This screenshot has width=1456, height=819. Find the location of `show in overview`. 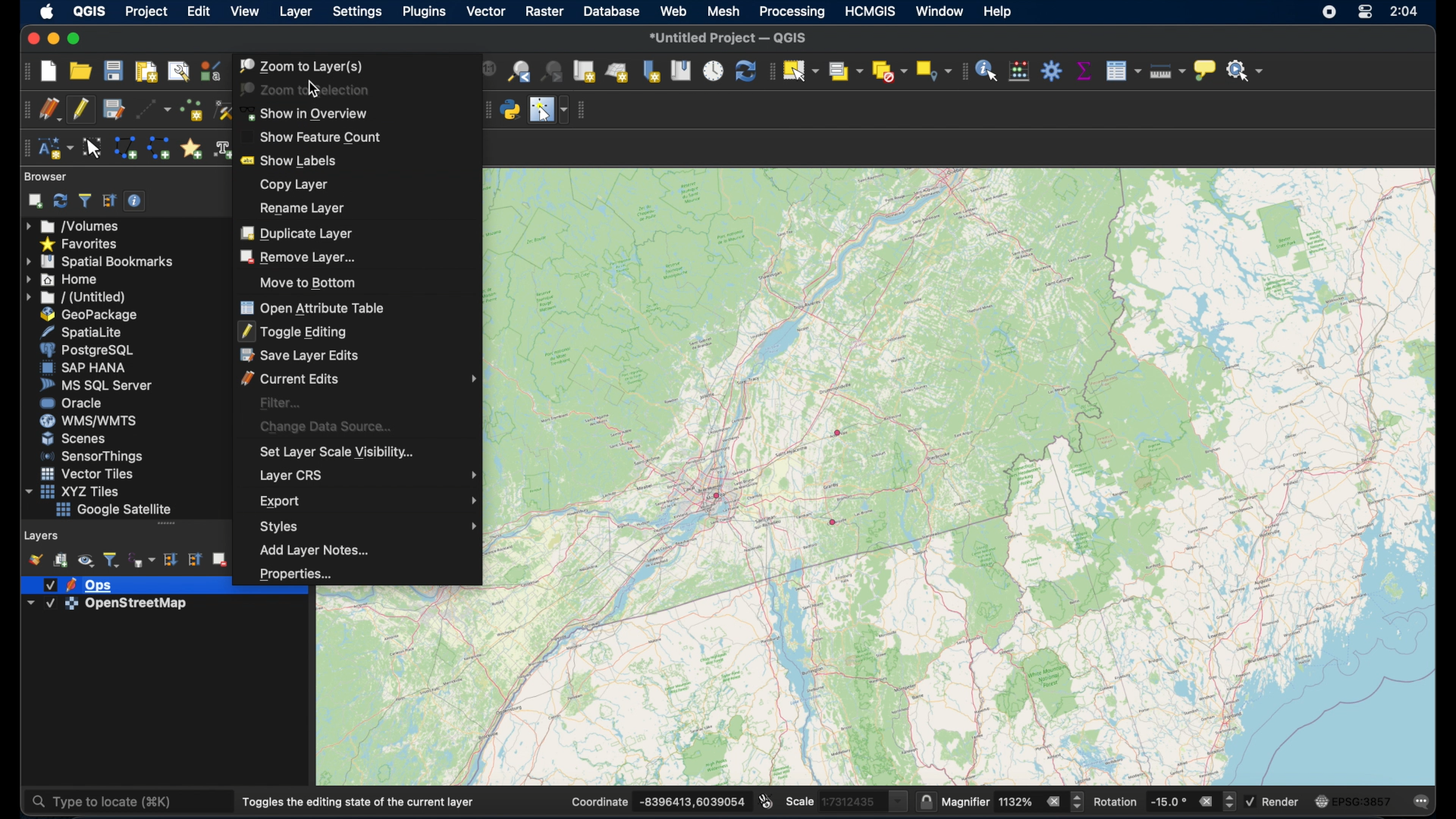

show in overview is located at coordinates (308, 113).